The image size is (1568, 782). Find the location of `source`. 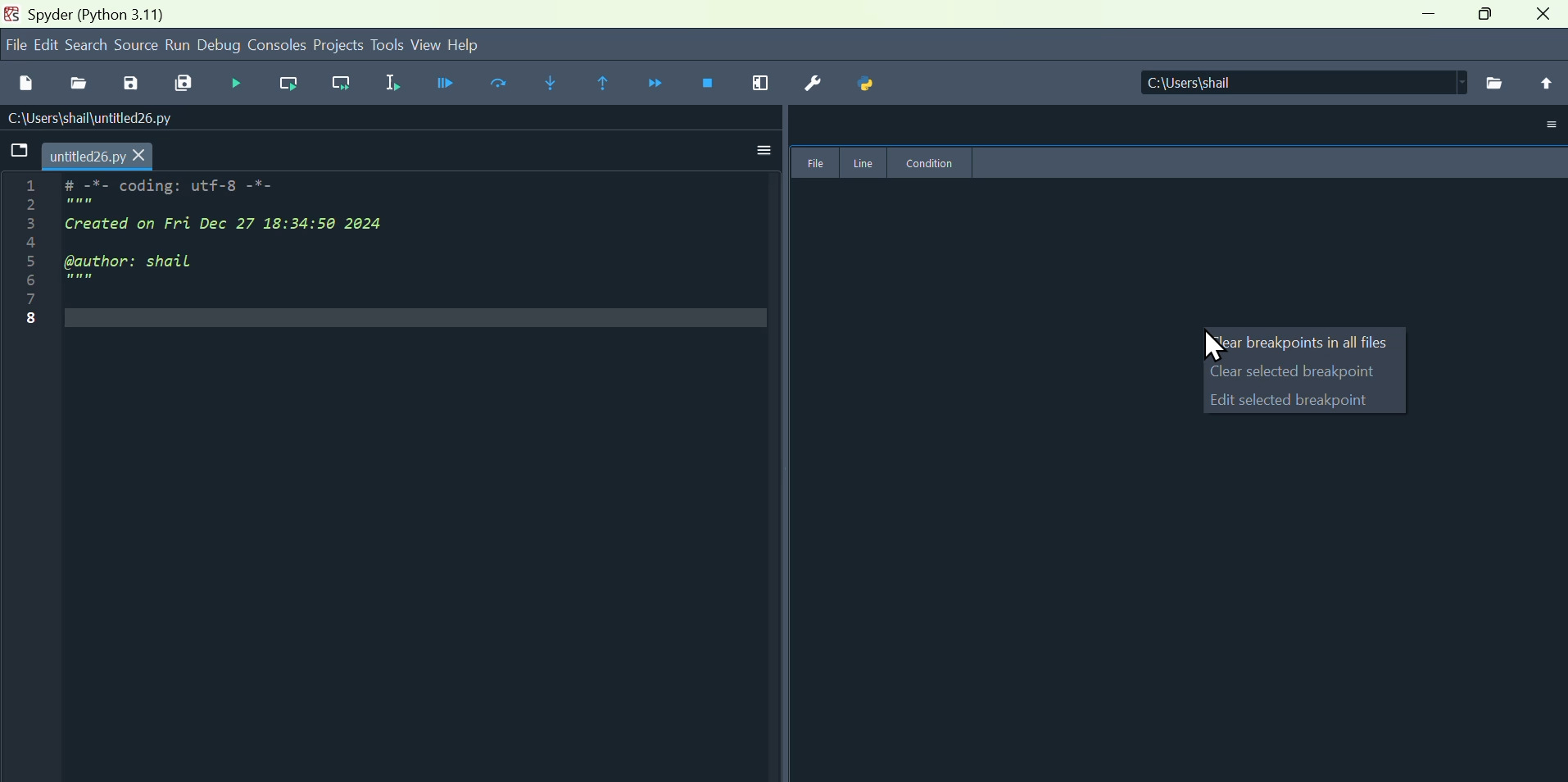

source is located at coordinates (138, 46).